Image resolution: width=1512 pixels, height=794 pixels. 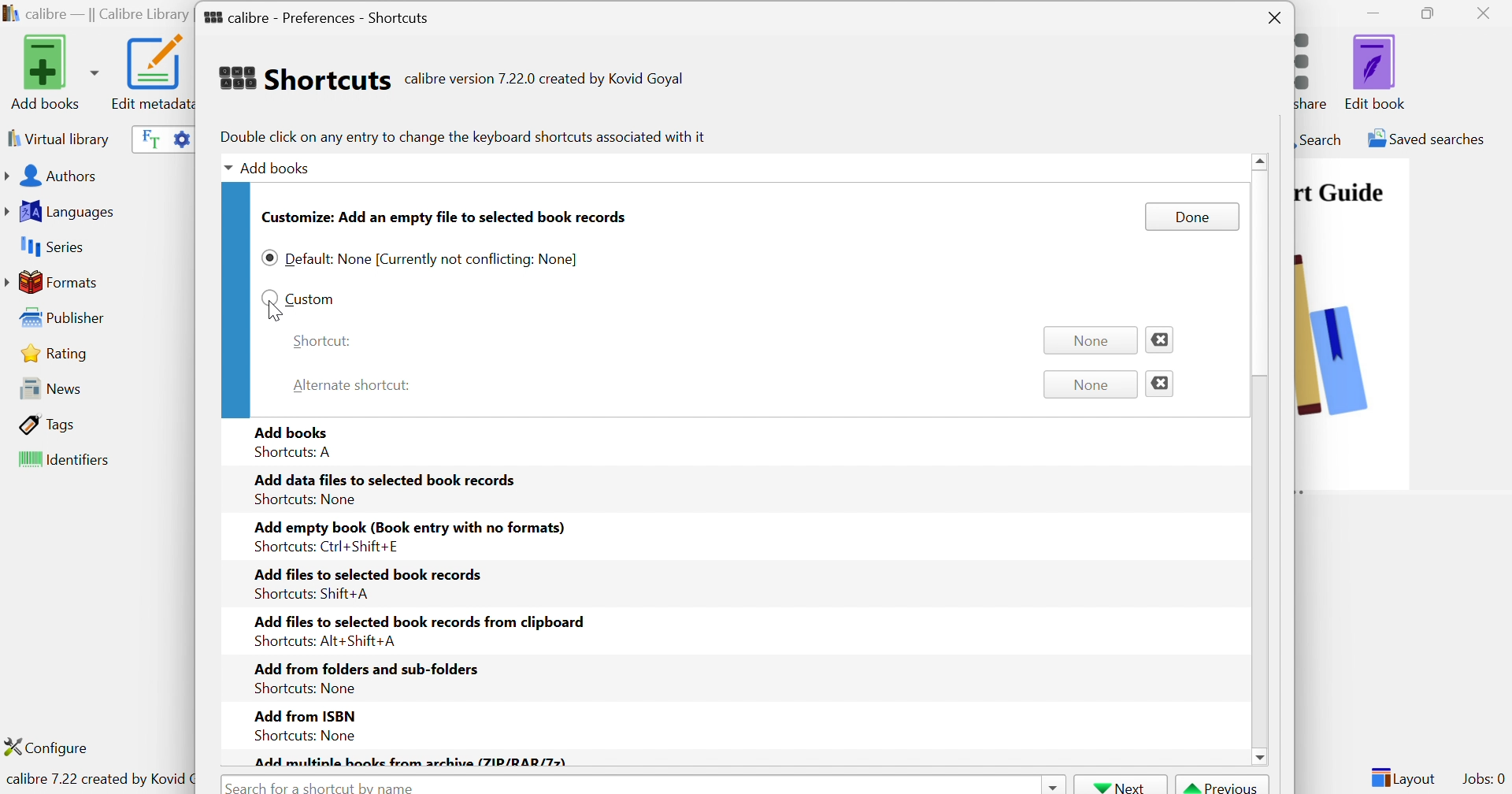 What do you see at coordinates (544, 80) in the screenshot?
I see `calibre version 7.22.0 created by Kovid Goyal` at bounding box center [544, 80].